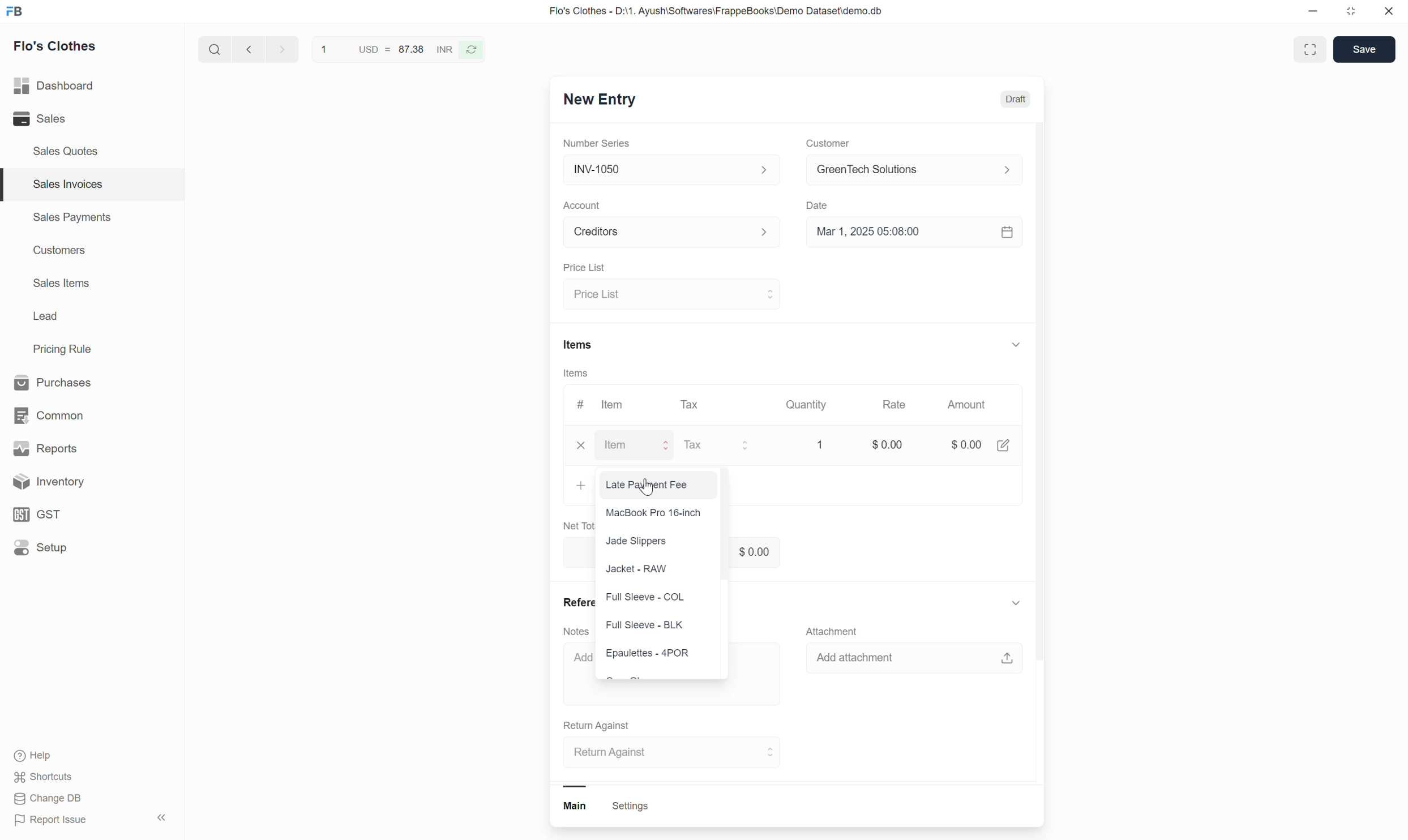 The image size is (1408, 840). I want to click on go forward , so click(279, 52).